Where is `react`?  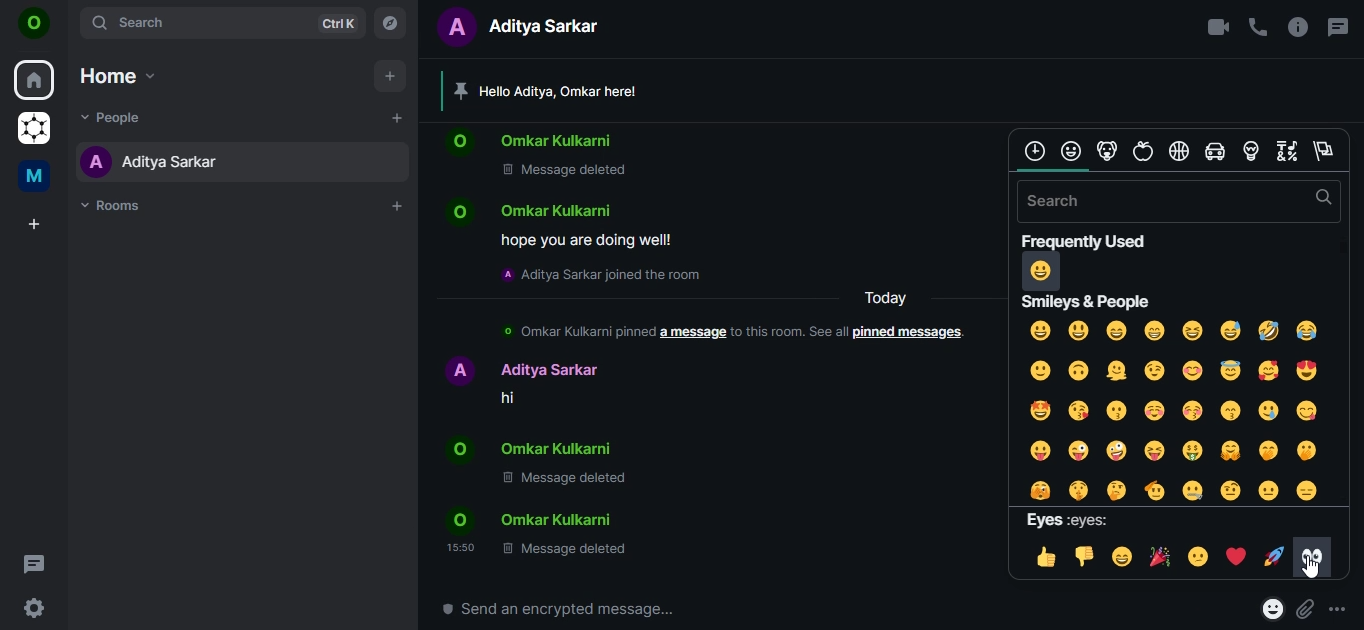
react is located at coordinates (1272, 609).